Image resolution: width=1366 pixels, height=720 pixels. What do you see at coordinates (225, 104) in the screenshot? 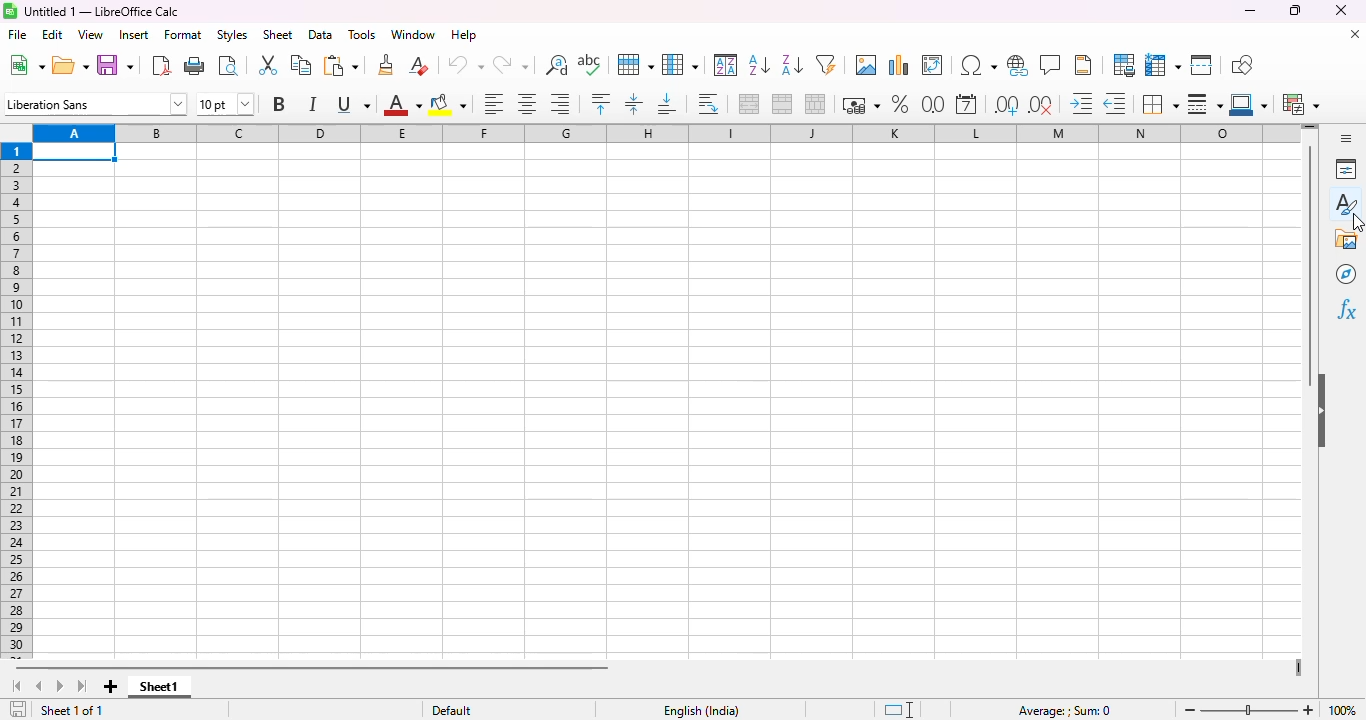
I see `font size` at bounding box center [225, 104].